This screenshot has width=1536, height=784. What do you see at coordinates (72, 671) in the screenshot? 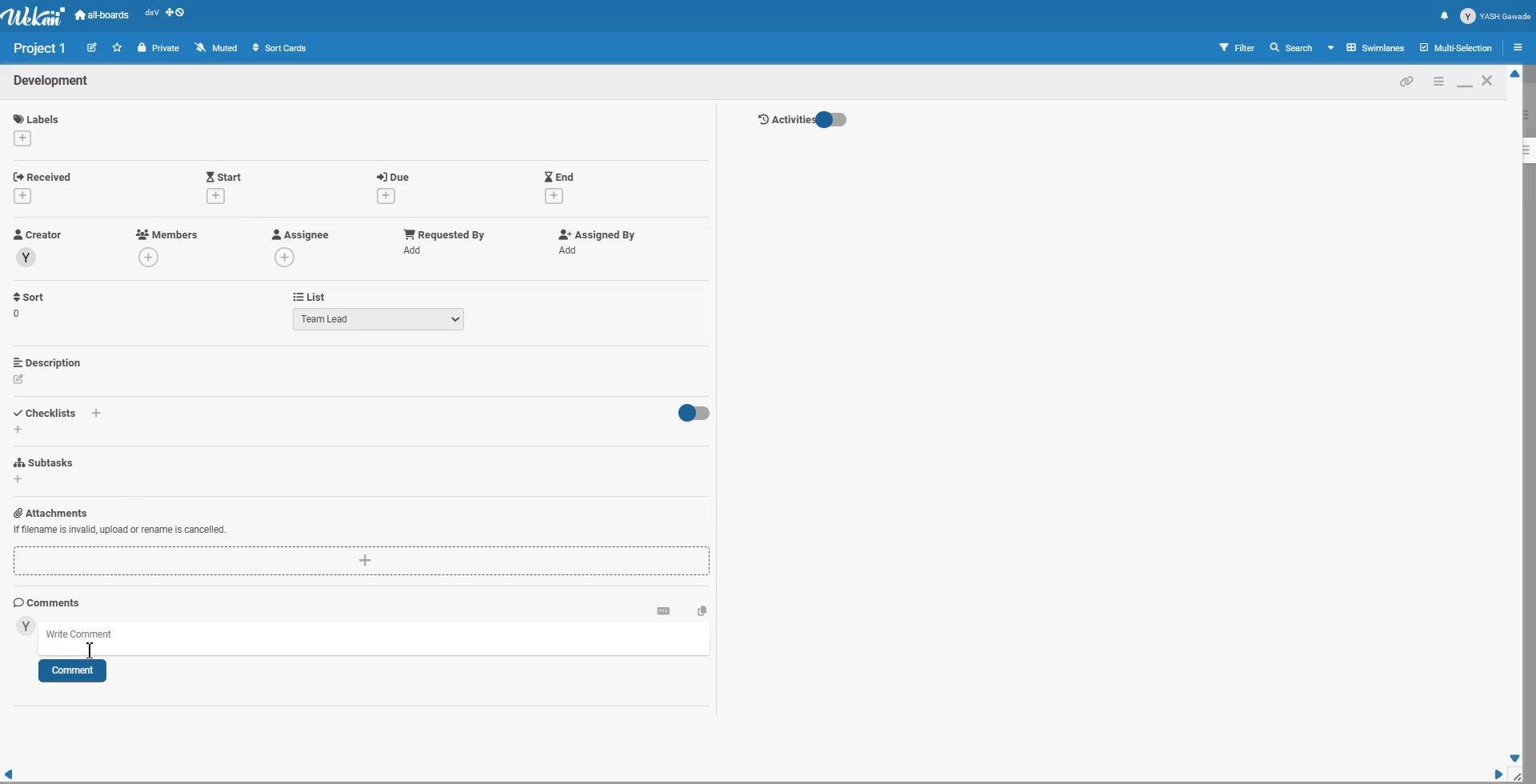
I see `Comment` at bounding box center [72, 671].